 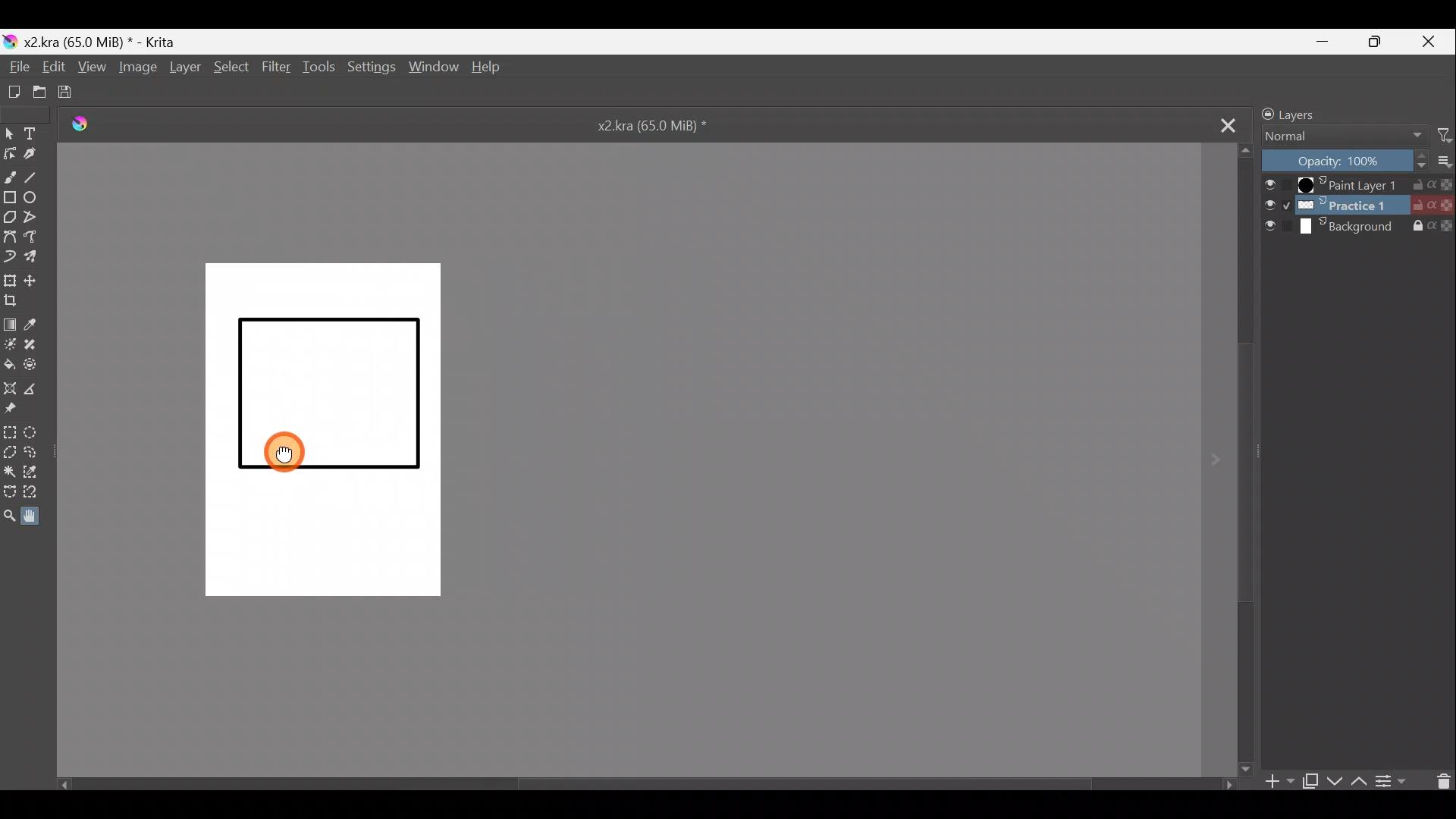 I want to click on Settings, so click(x=370, y=68).